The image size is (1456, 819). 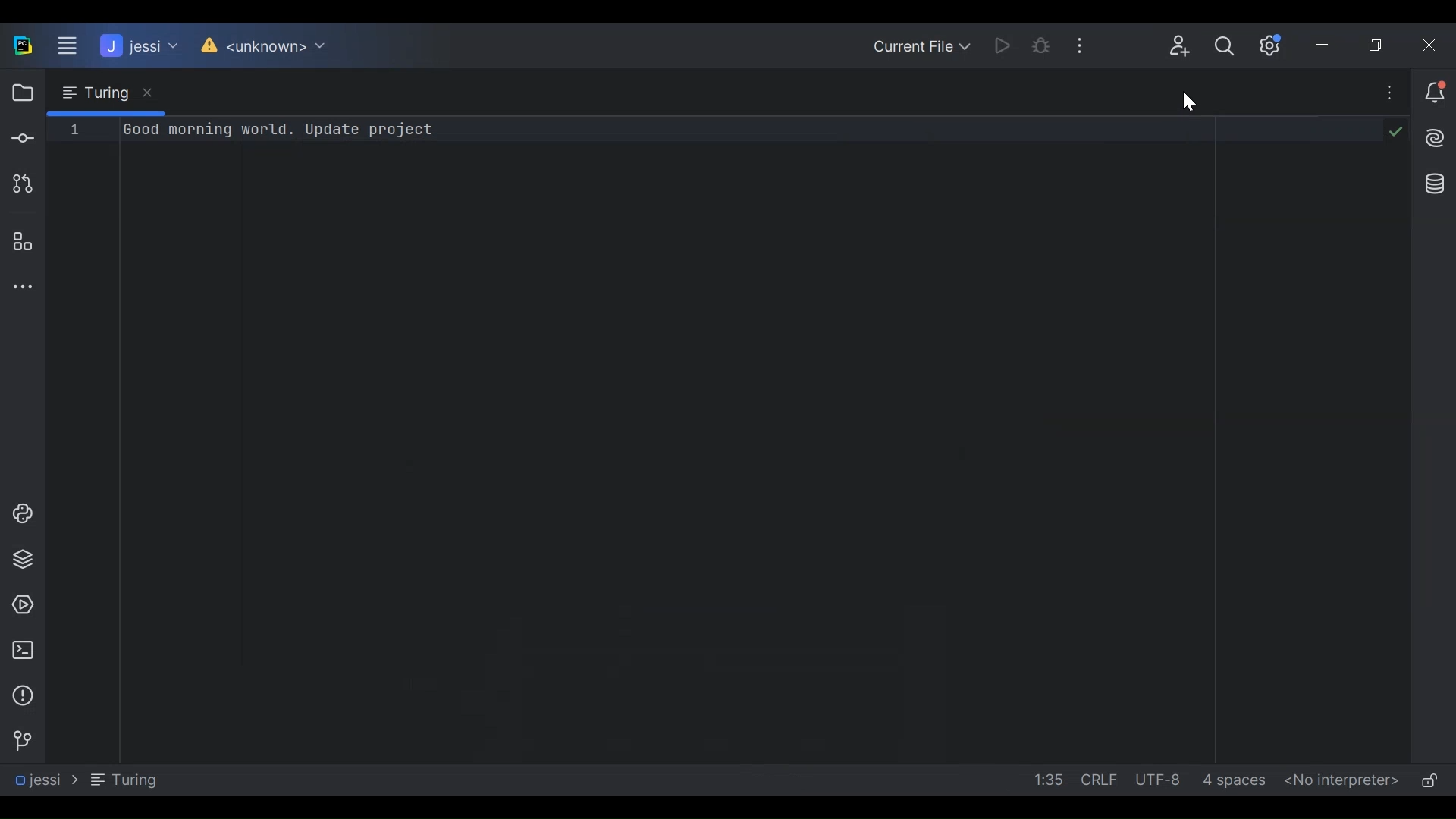 What do you see at coordinates (1438, 140) in the screenshot?
I see `AI Assistant` at bounding box center [1438, 140].